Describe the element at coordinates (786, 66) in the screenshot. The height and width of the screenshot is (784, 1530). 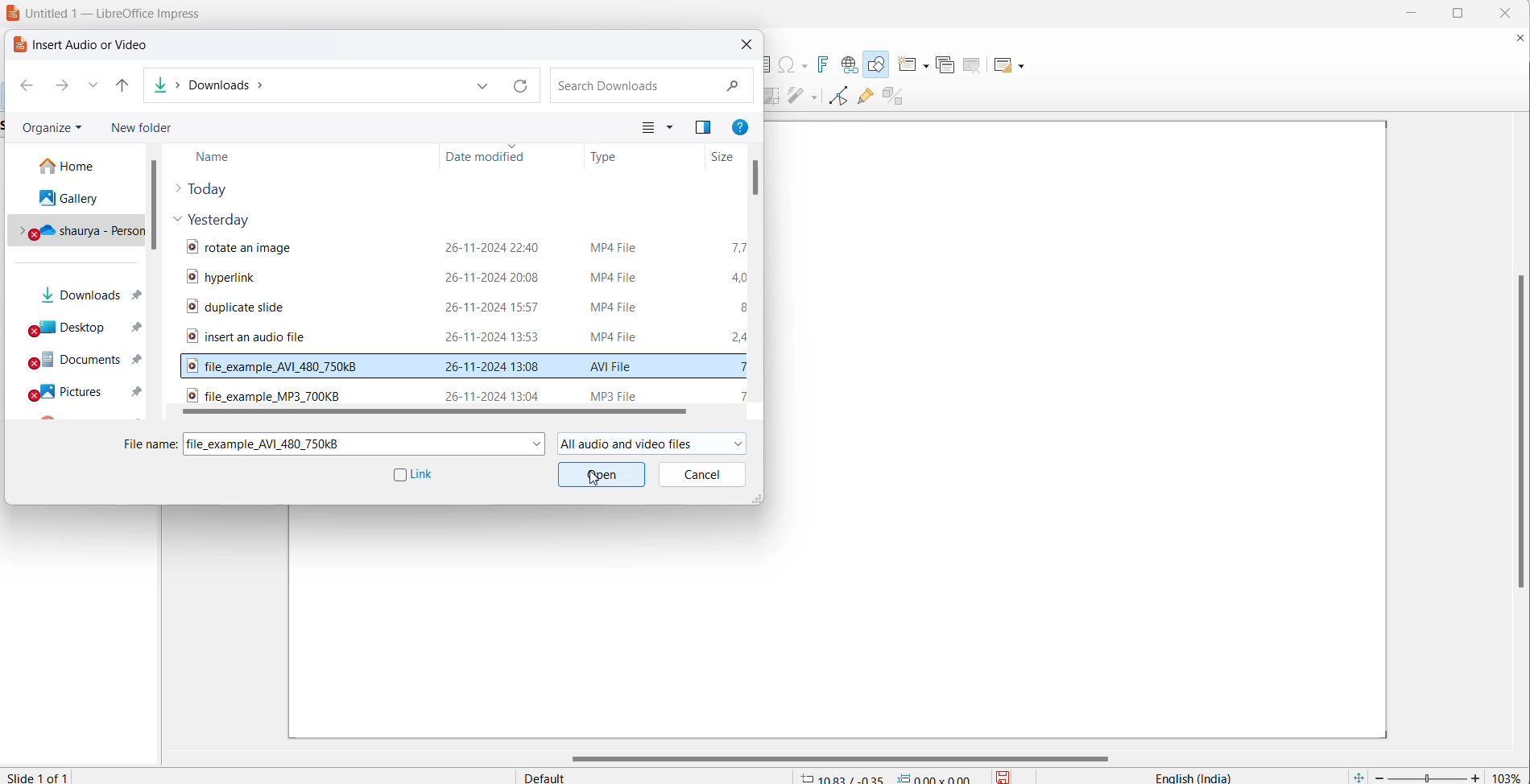
I see `insert special characters` at that location.